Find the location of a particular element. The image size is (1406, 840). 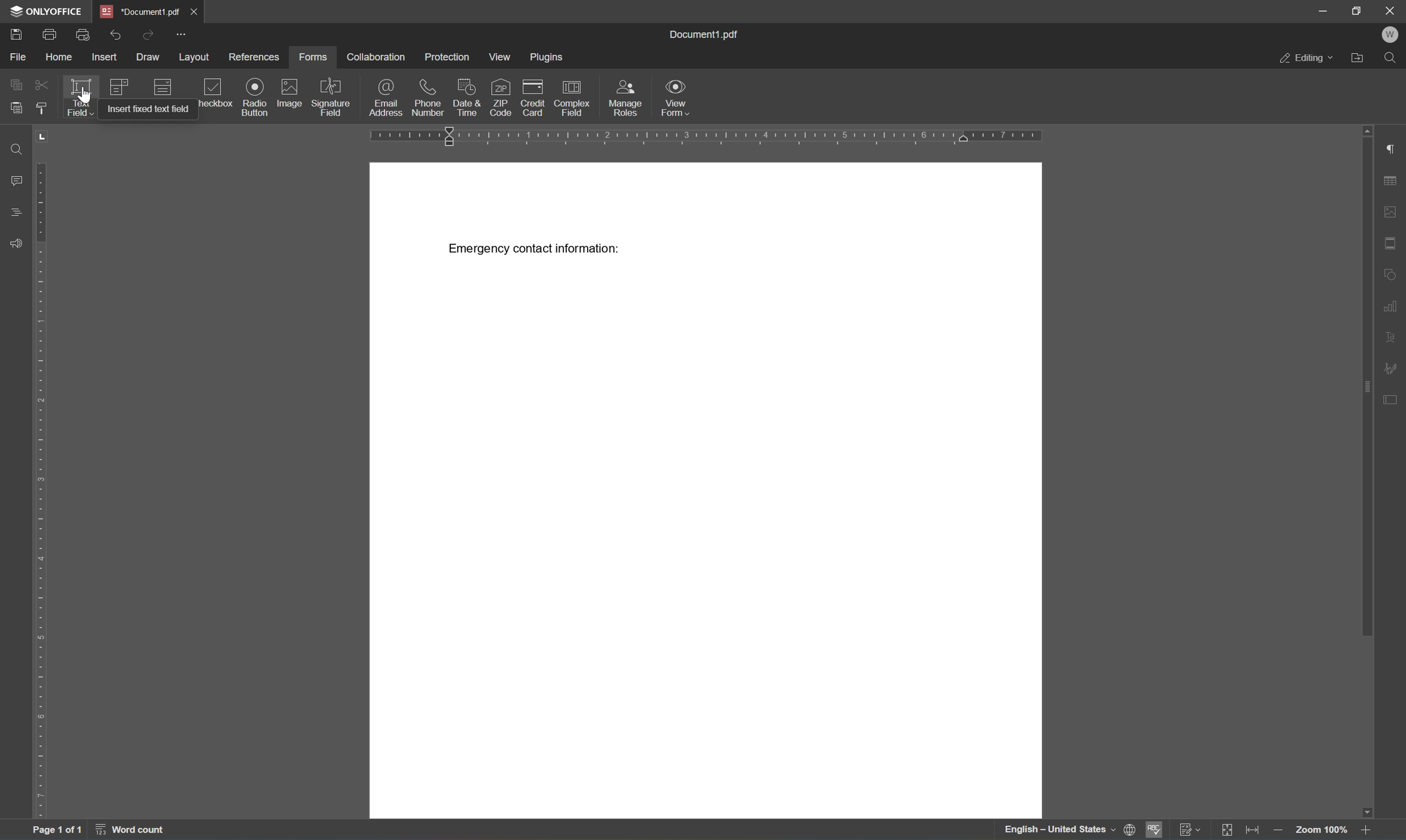

comments is located at coordinates (16, 182).